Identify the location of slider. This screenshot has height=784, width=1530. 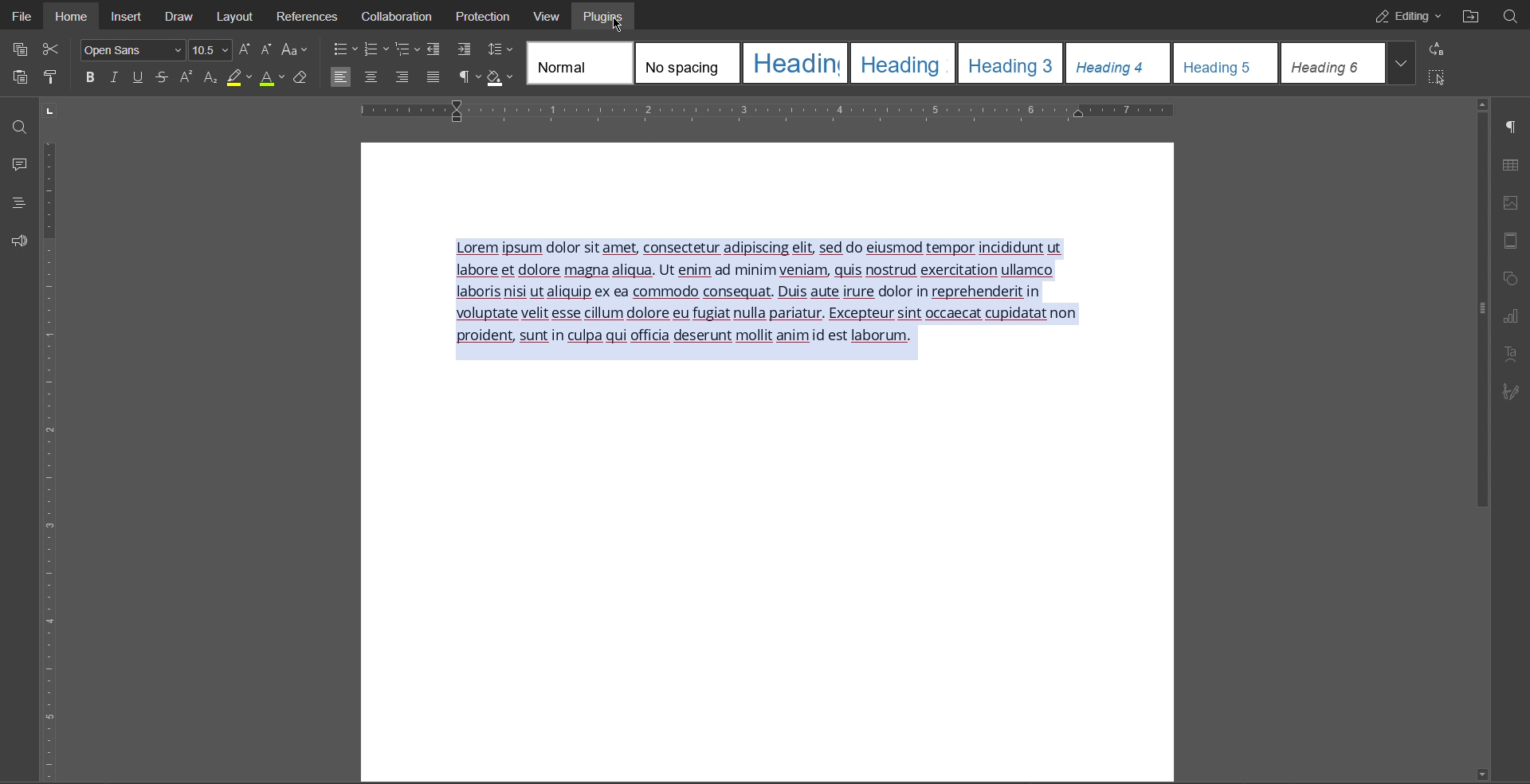
(1475, 312).